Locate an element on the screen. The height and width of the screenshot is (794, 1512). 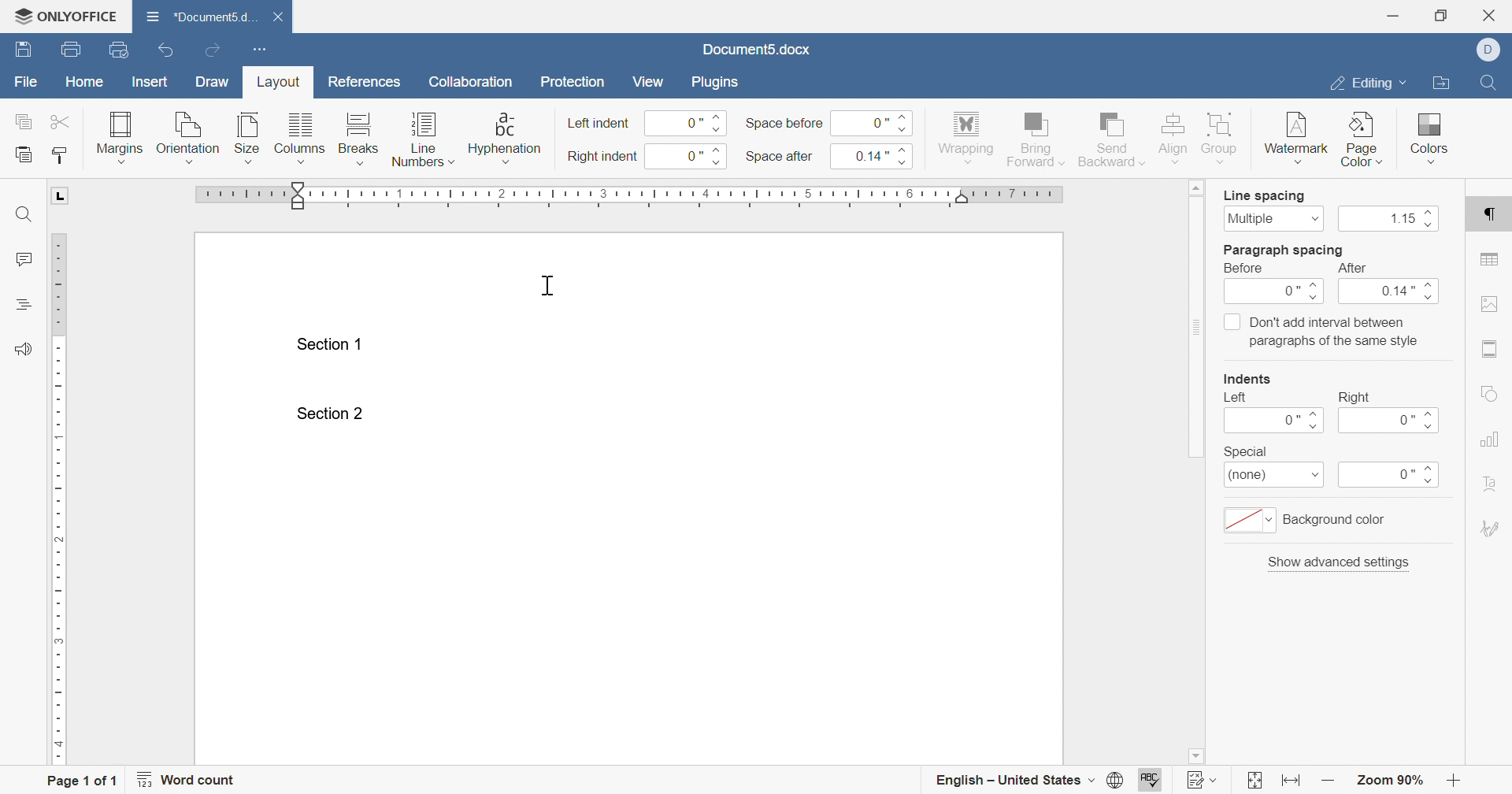
Find is located at coordinates (1487, 82).